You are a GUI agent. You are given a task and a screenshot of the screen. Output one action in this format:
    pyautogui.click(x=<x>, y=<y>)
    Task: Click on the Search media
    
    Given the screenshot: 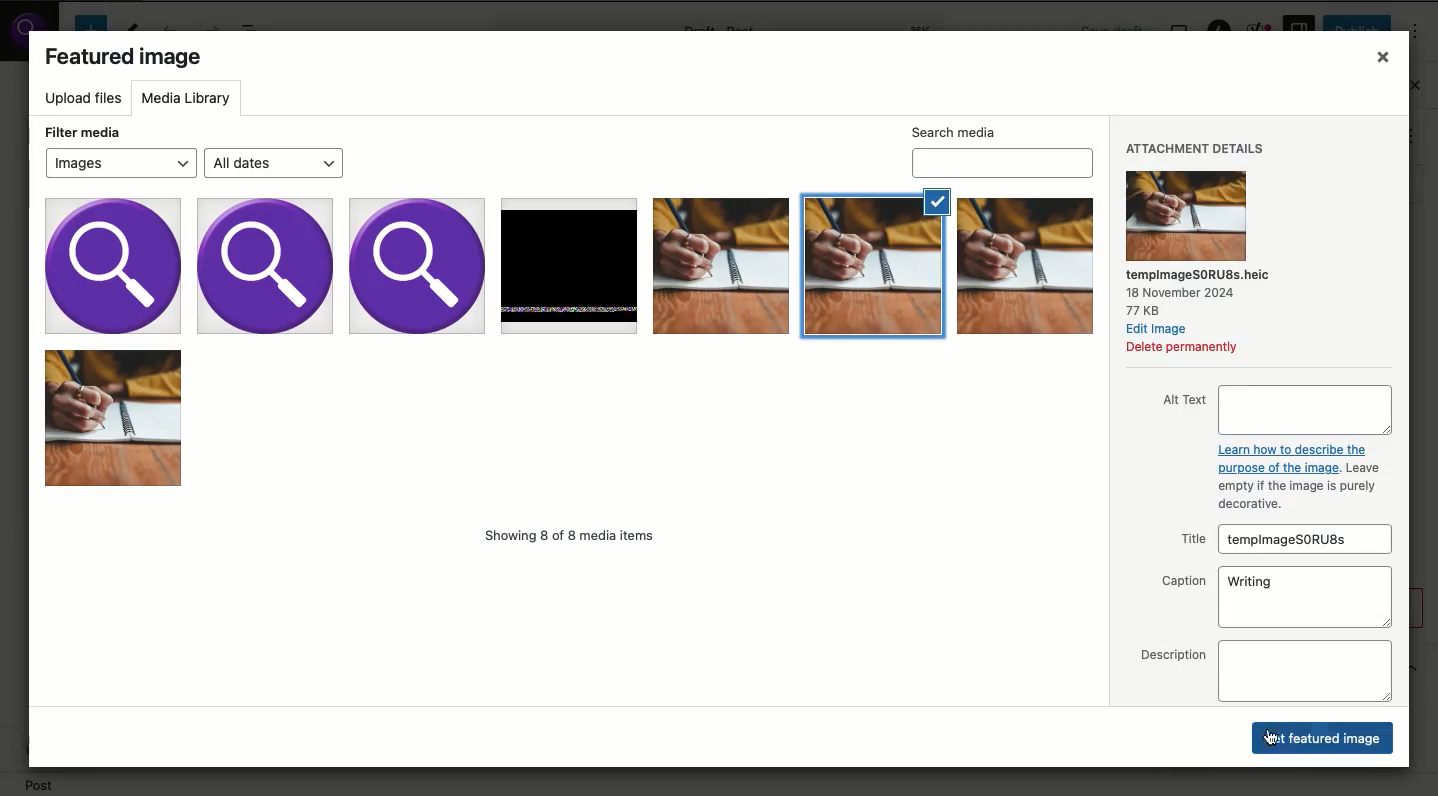 What is the action you would take?
    pyautogui.click(x=1005, y=163)
    